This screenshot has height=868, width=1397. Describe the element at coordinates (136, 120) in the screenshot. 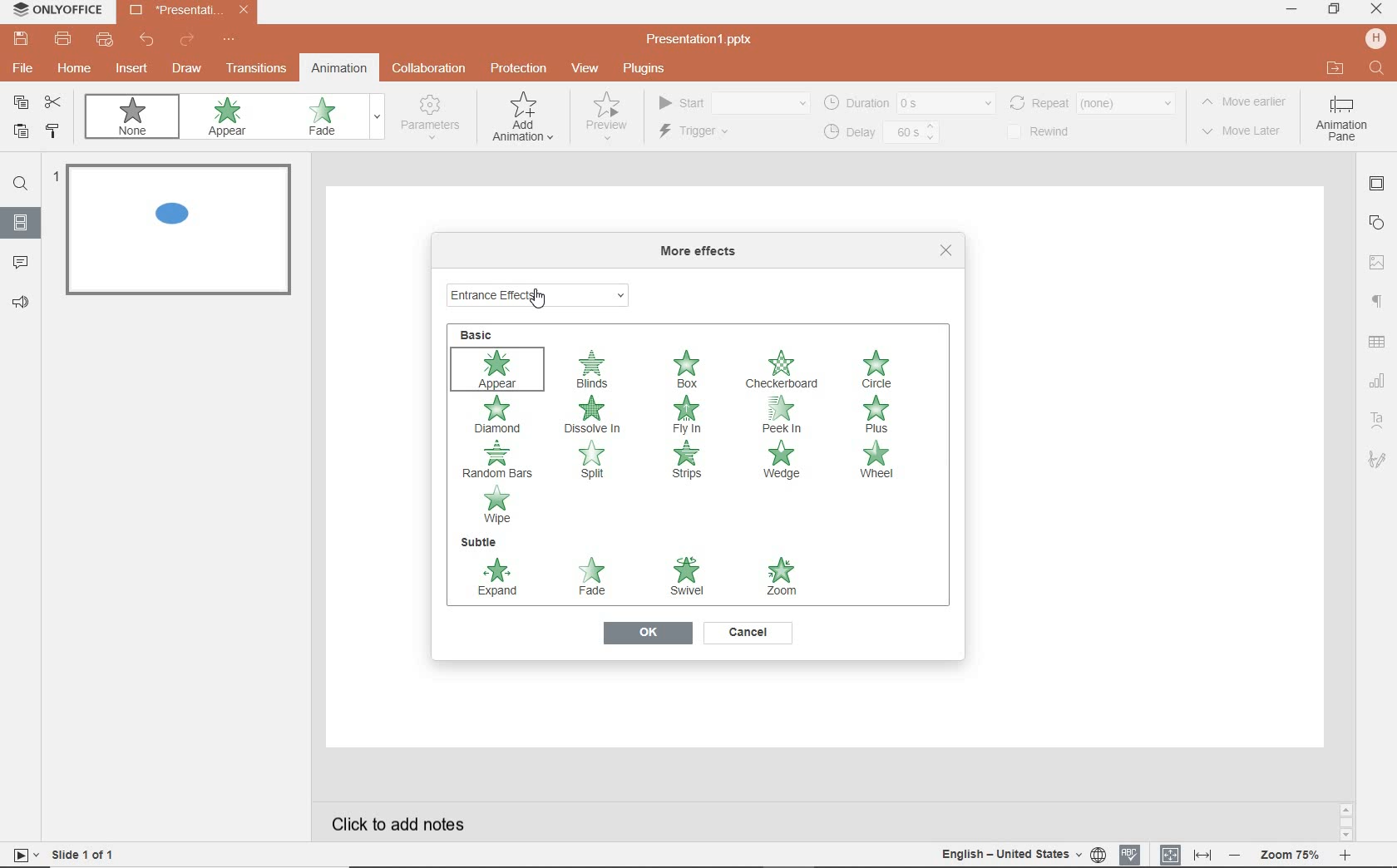

I see `none` at that location.